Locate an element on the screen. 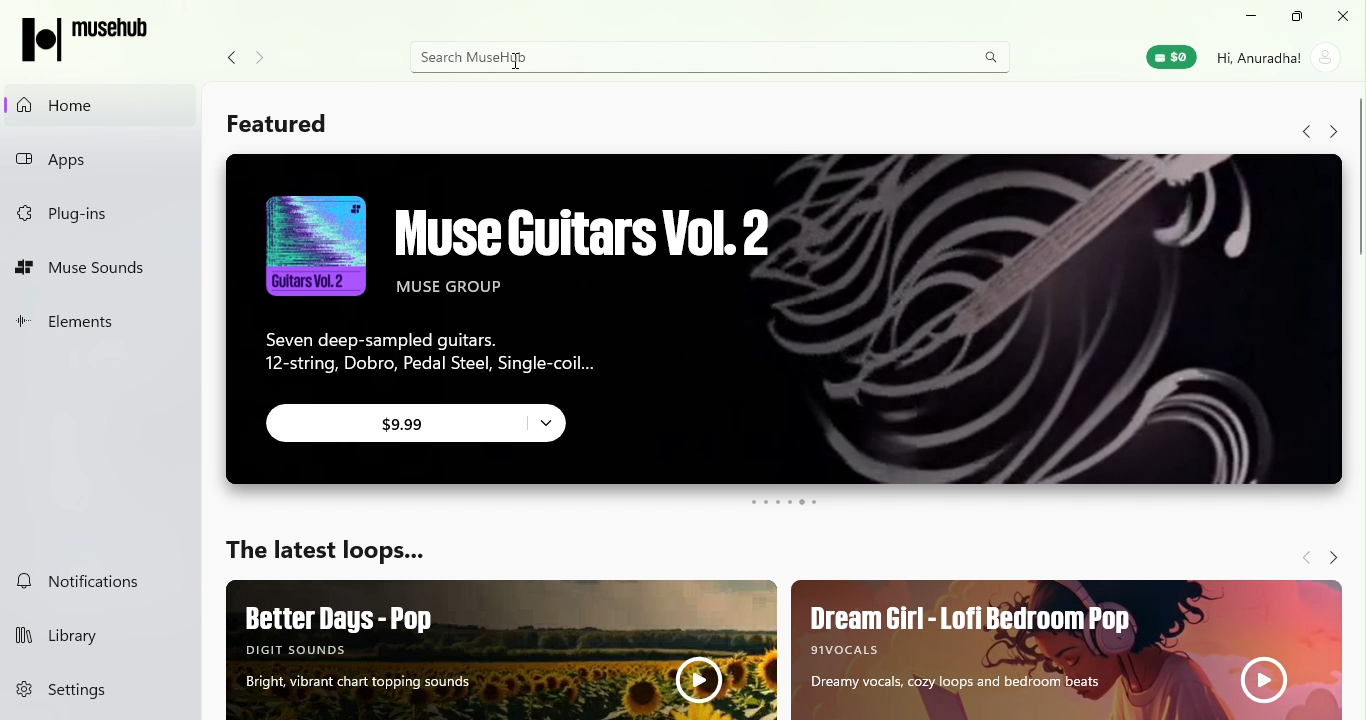  The latest loops is located at coordinates (326, 554).